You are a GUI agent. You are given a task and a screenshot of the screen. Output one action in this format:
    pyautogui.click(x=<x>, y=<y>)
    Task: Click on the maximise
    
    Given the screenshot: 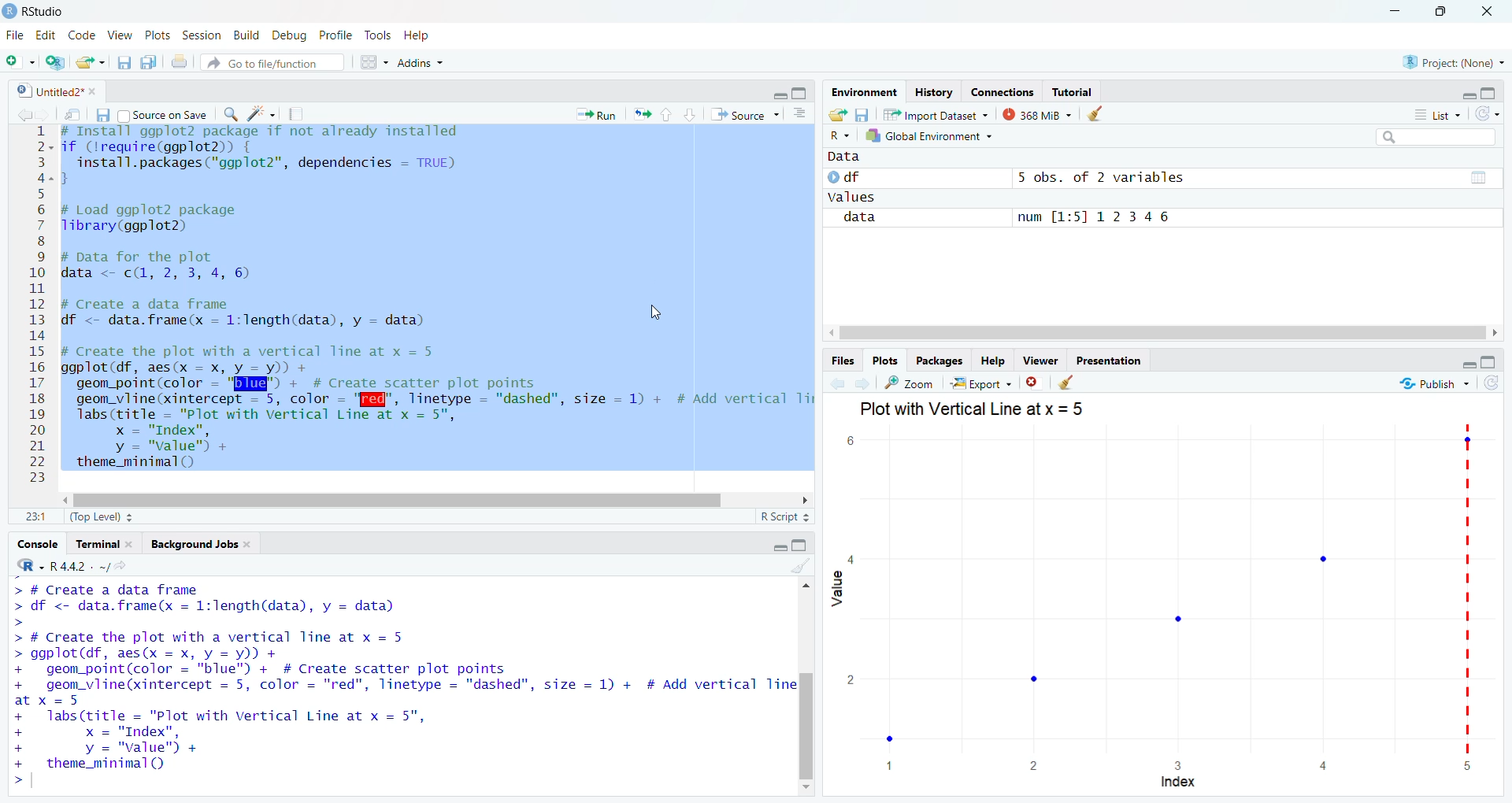 What is the action you would take?
    pyautogui.click(x=1491, y=92)
    